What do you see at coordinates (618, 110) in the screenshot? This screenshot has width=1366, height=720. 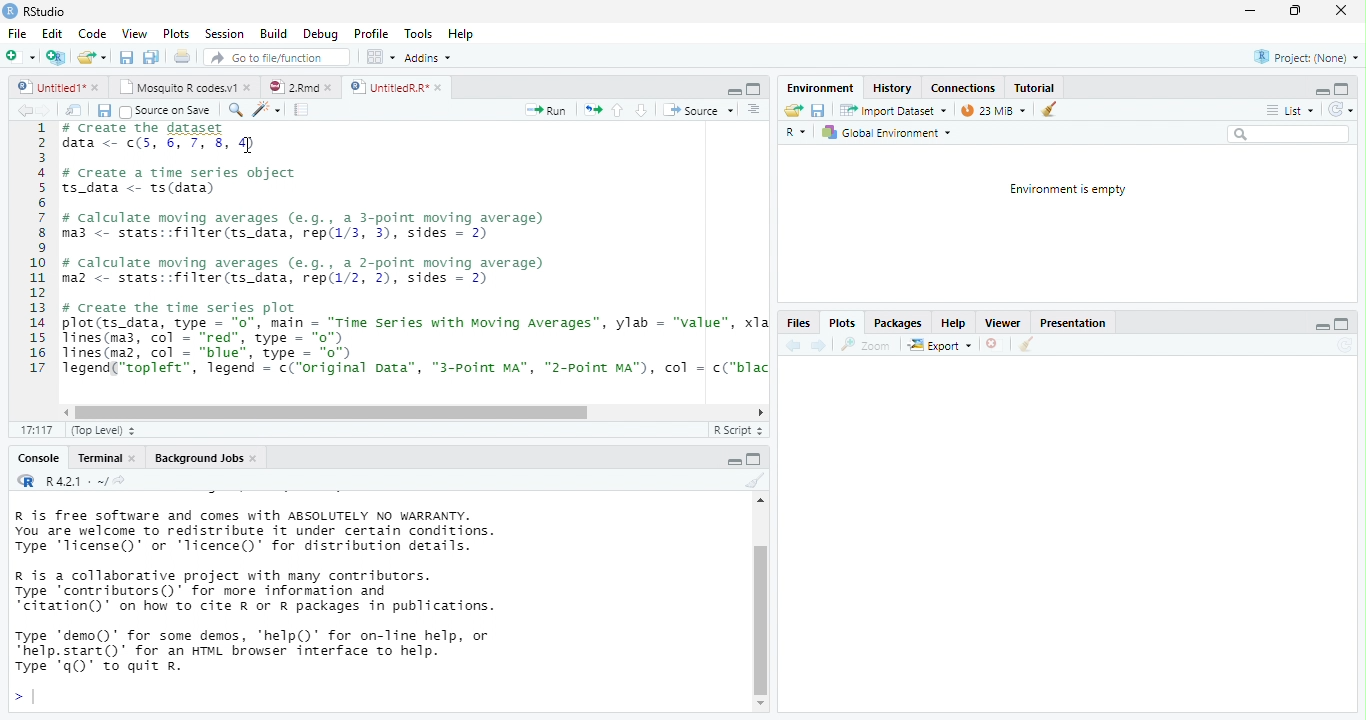 I see `up` at bounding box center [618, 110].